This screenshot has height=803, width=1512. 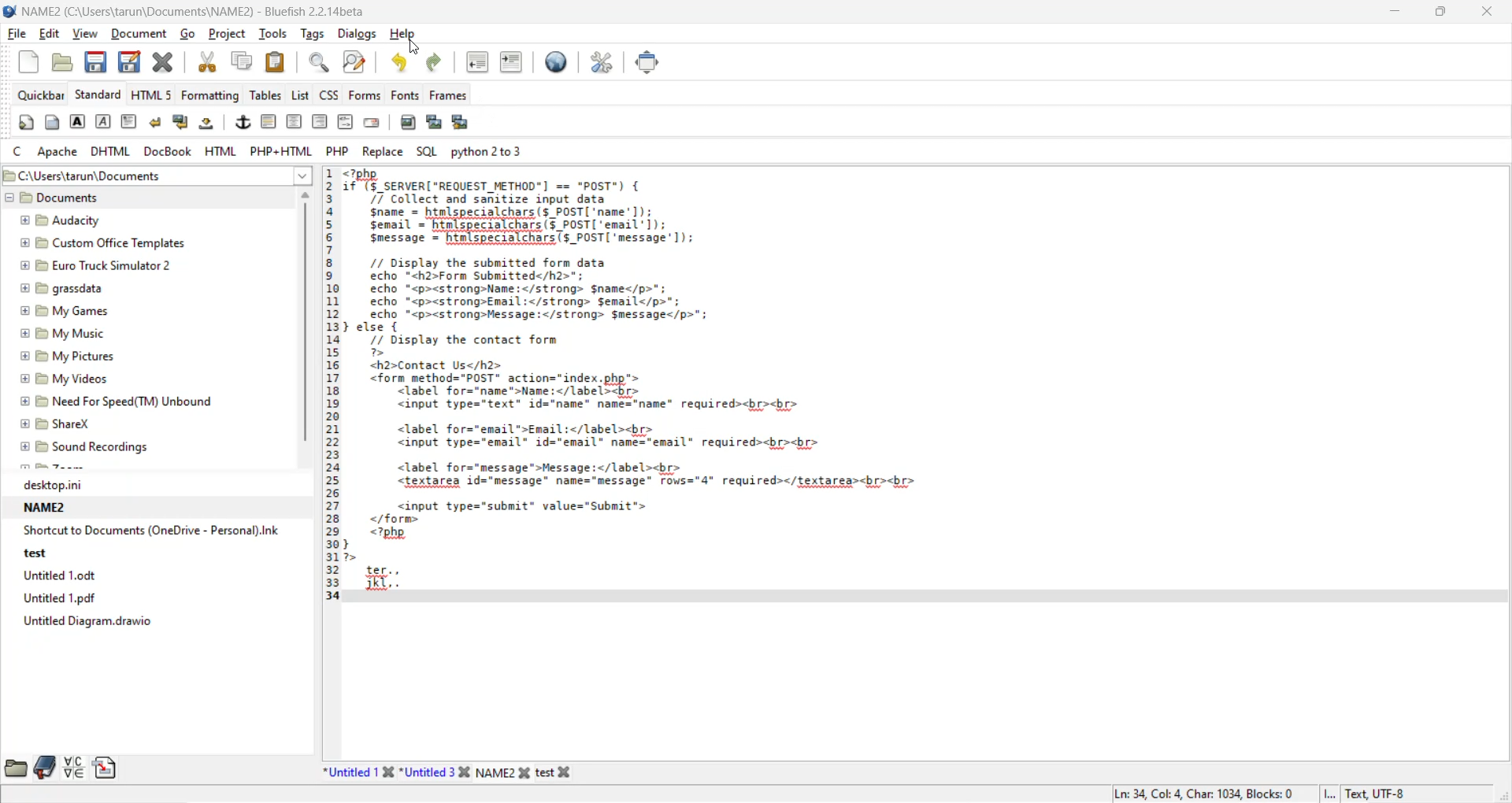 I want to click on emphasis, so click(x=106, y=122).